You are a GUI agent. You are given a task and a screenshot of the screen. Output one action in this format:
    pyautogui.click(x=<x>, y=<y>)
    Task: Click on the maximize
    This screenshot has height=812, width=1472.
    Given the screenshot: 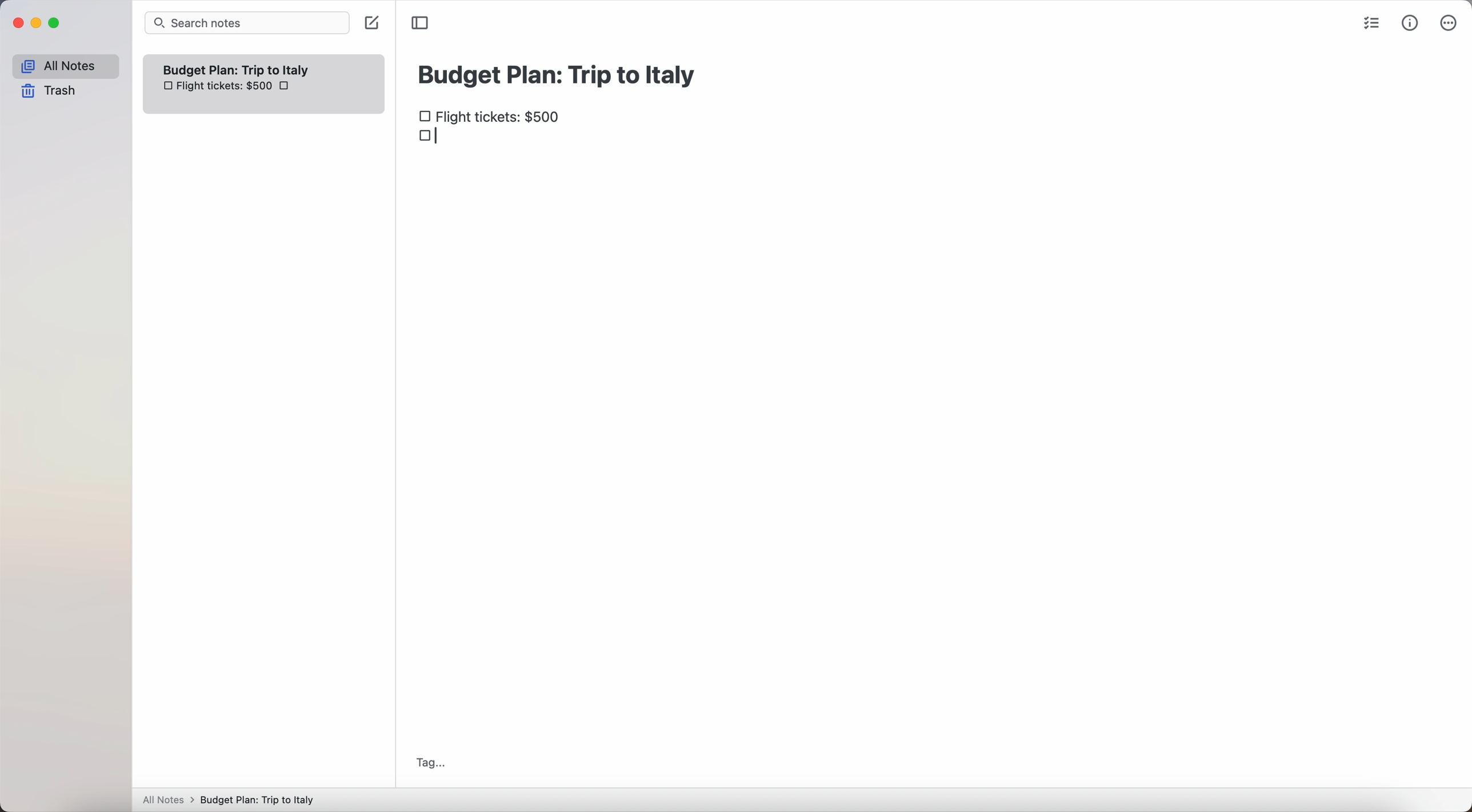 What is the action you would take?
    pyautogui.click(x=57, y=23)
    